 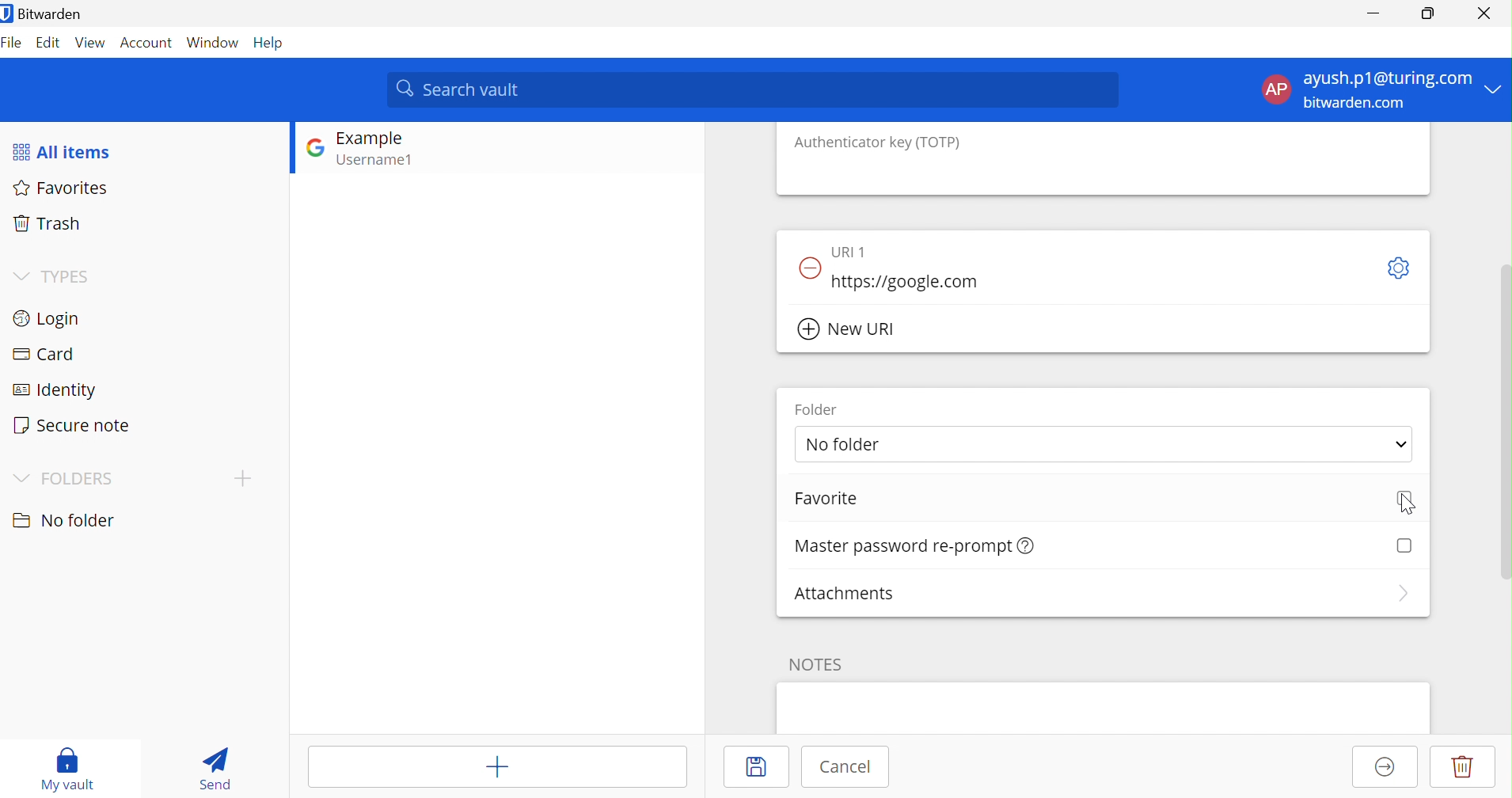 I want to click on Search vault, so click(x=754, y=89).